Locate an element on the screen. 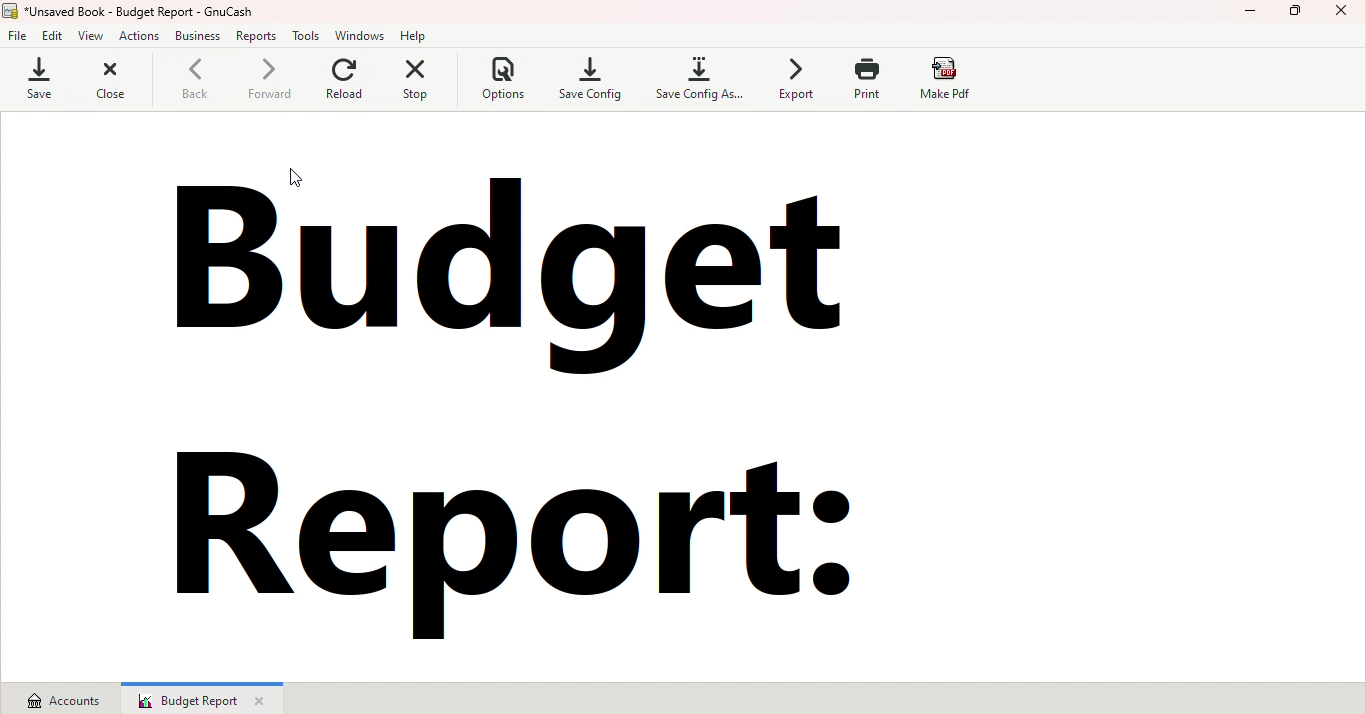  edit is located at coordinates (52, 34).